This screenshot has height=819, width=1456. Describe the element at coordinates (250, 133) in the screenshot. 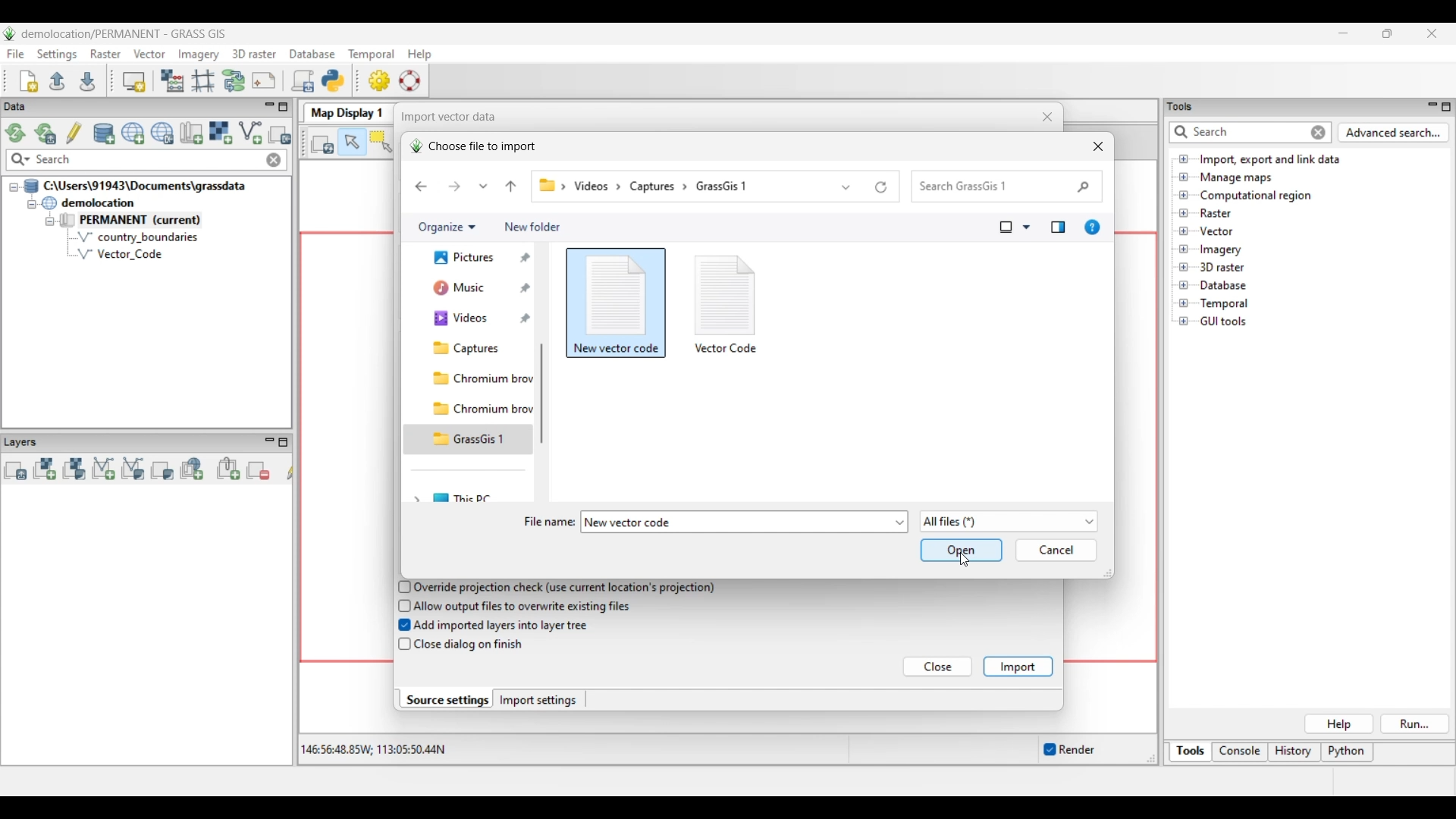

I see `Import vector data, current selection` at that location.